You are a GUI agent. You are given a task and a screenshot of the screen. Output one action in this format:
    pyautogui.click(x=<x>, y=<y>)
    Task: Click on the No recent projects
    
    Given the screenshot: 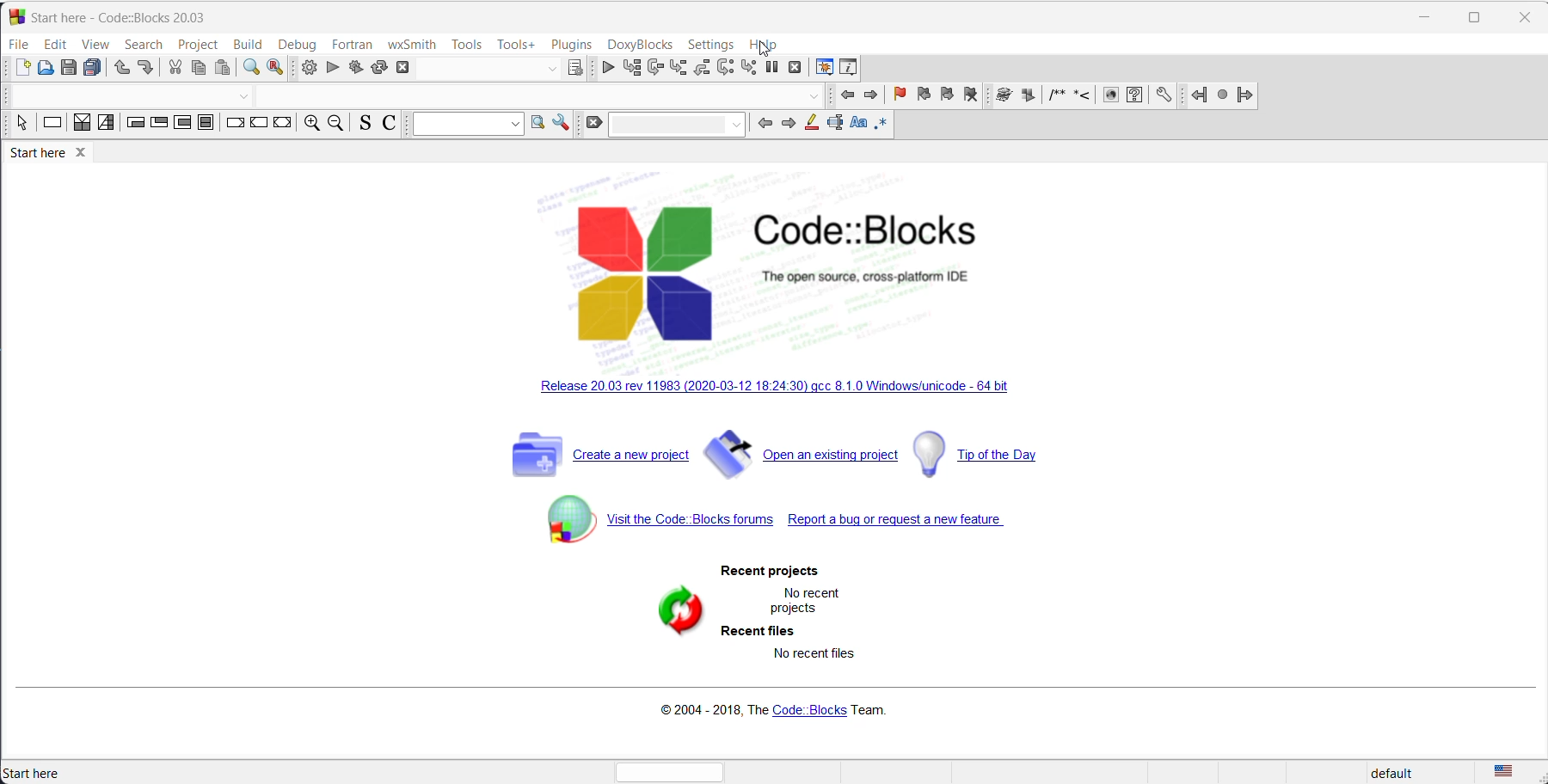 What is the action you would take?
    pyautogui.click(x=810, y=600)
    